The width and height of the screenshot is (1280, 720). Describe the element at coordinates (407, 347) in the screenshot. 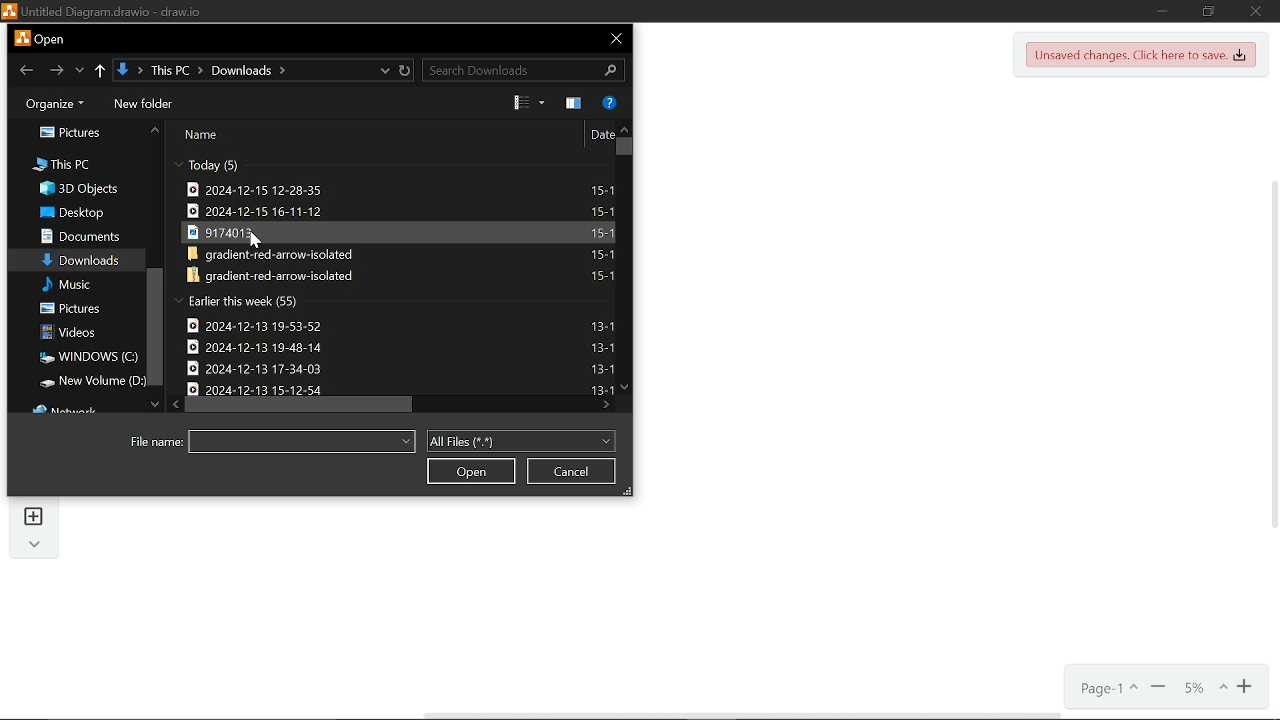

I see `file titled "2024-12-13 19-43-14"` at that location.